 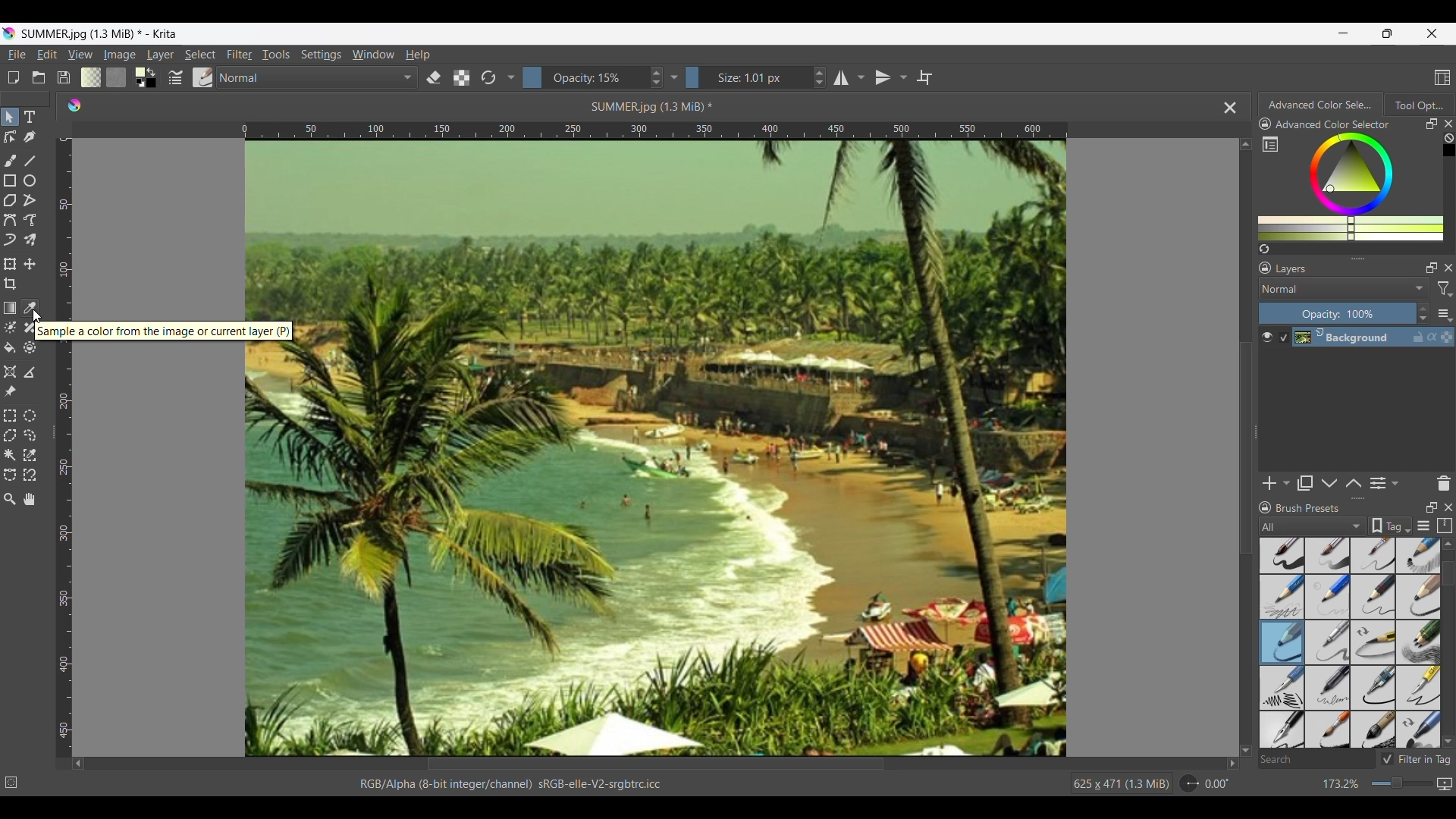 I want to click on Rectangular selection tool, so click(x=10, y=416).